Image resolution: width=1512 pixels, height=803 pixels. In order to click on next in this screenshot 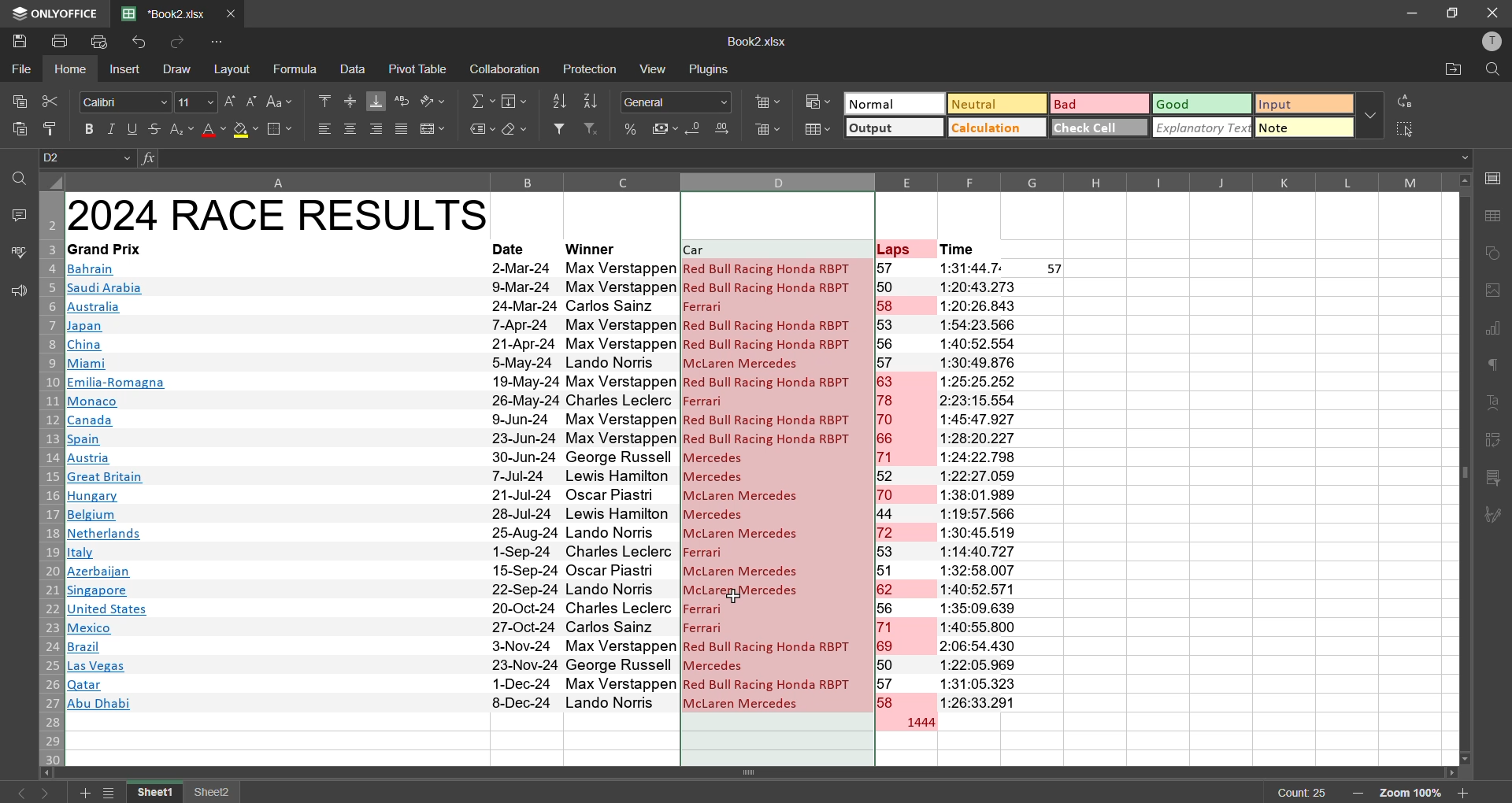, I will do `click(50, 793)`.